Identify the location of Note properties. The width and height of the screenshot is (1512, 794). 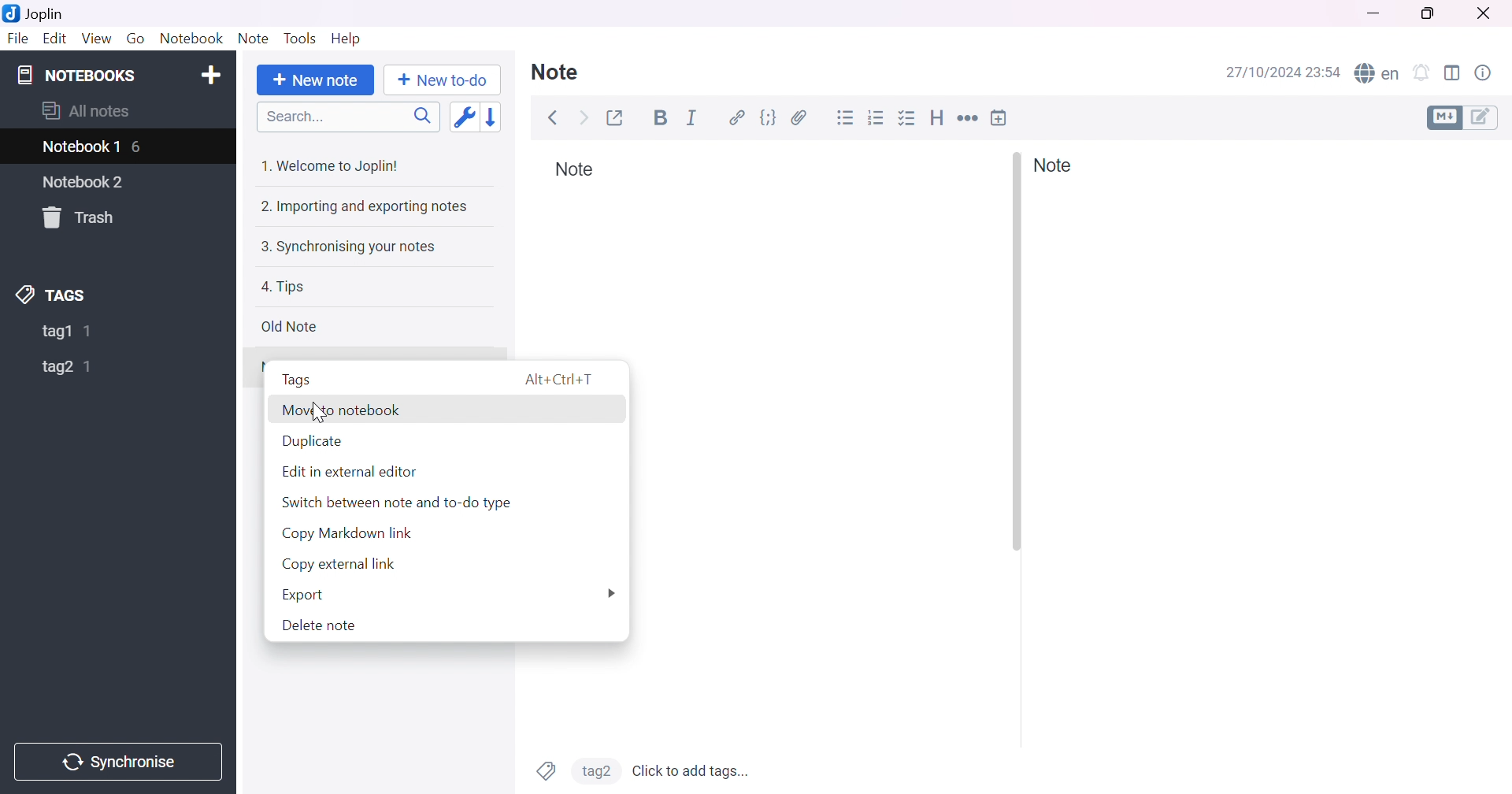
(1488, 72).